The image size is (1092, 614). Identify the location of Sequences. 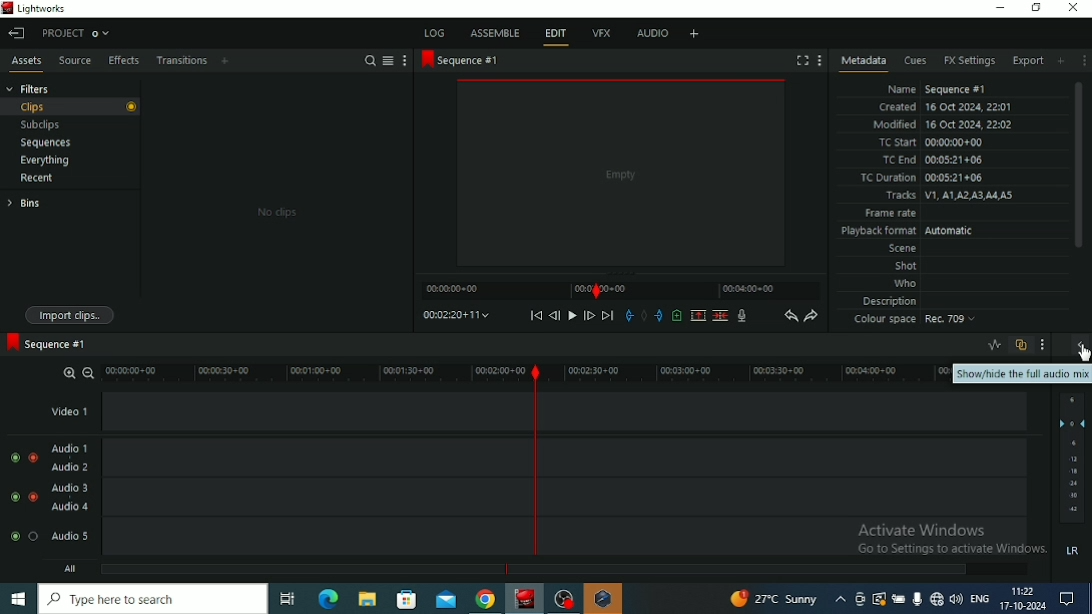
(46, 143).